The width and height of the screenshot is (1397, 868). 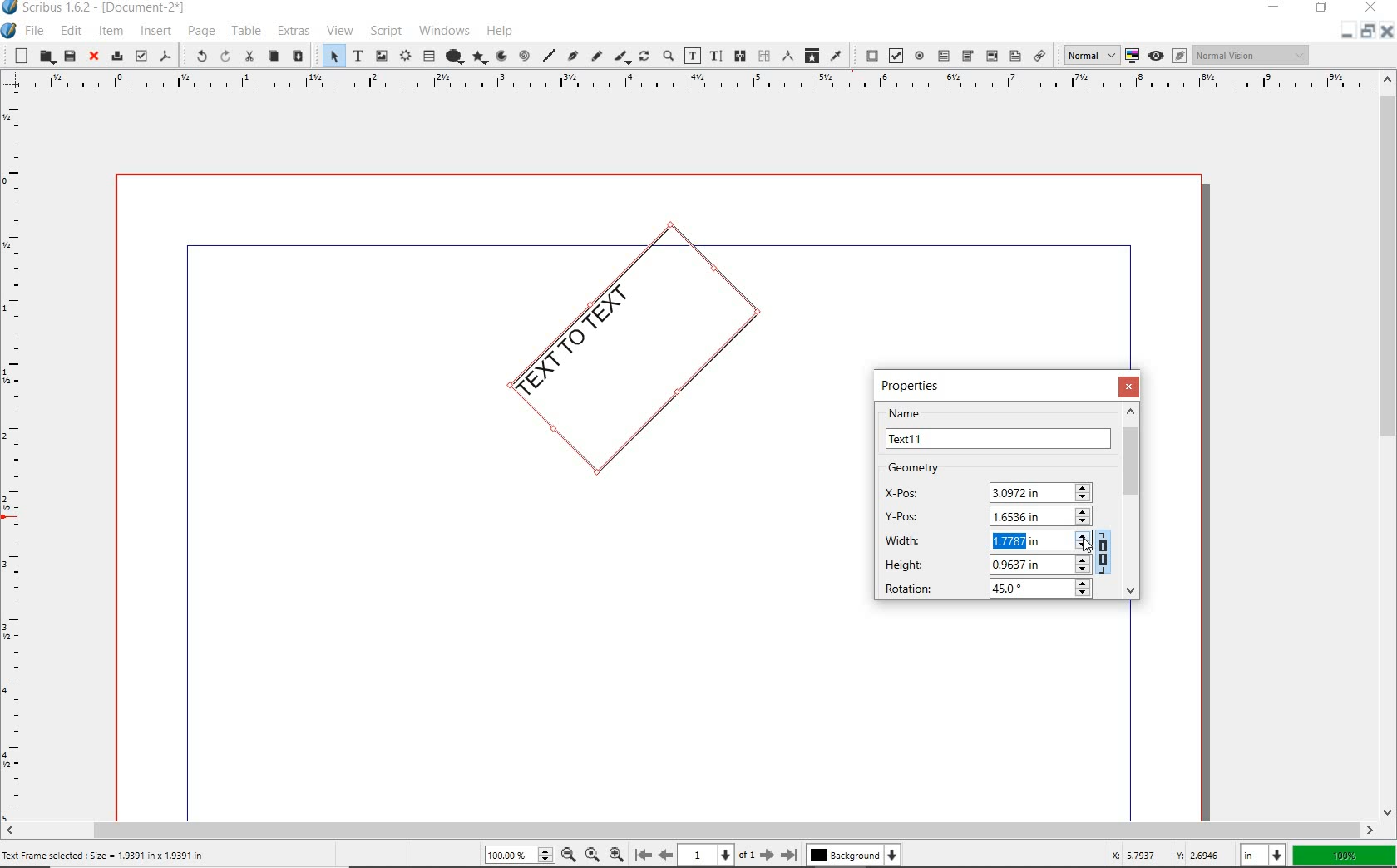 I want to click on item, so click(x=109, y=32).